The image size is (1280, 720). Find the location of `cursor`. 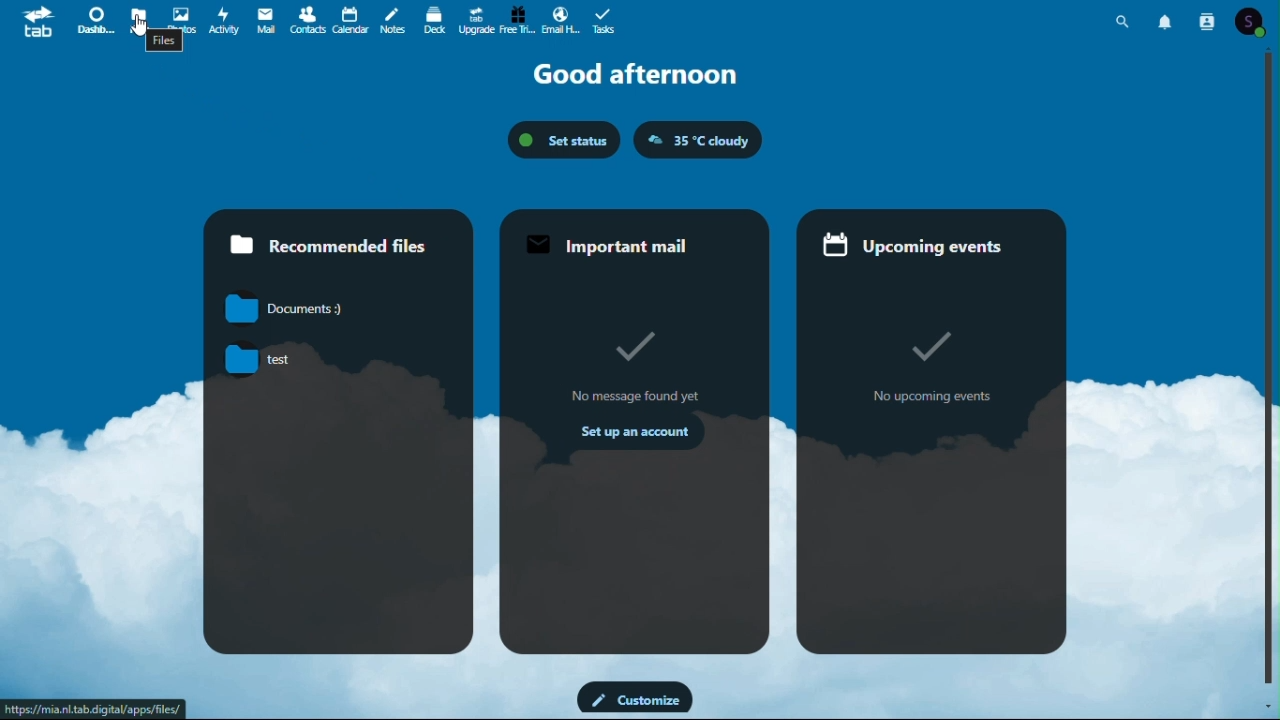

cursor is located at coordinates (138, 31).